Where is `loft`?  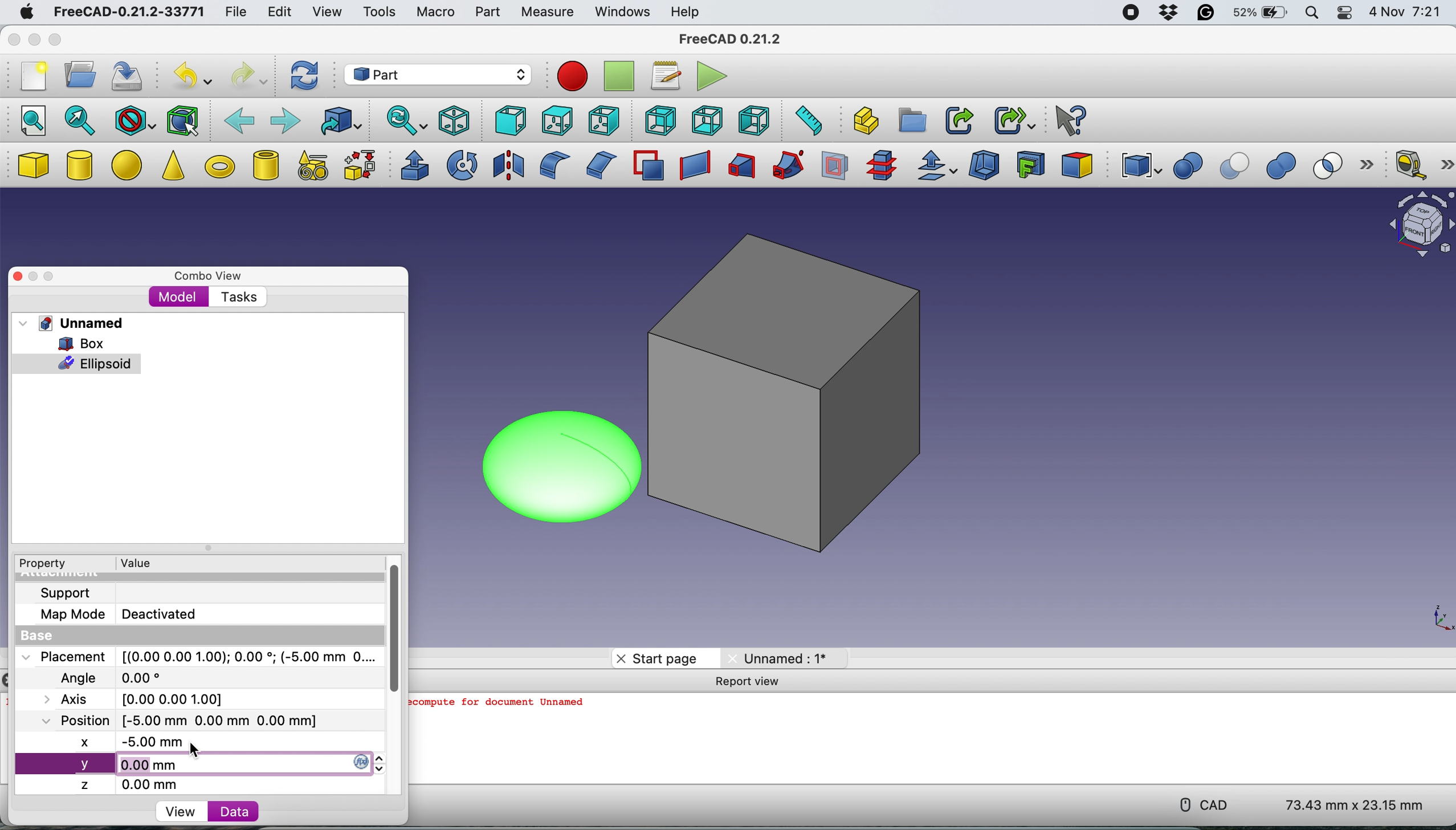 loft is located at coordinates (740, 168).